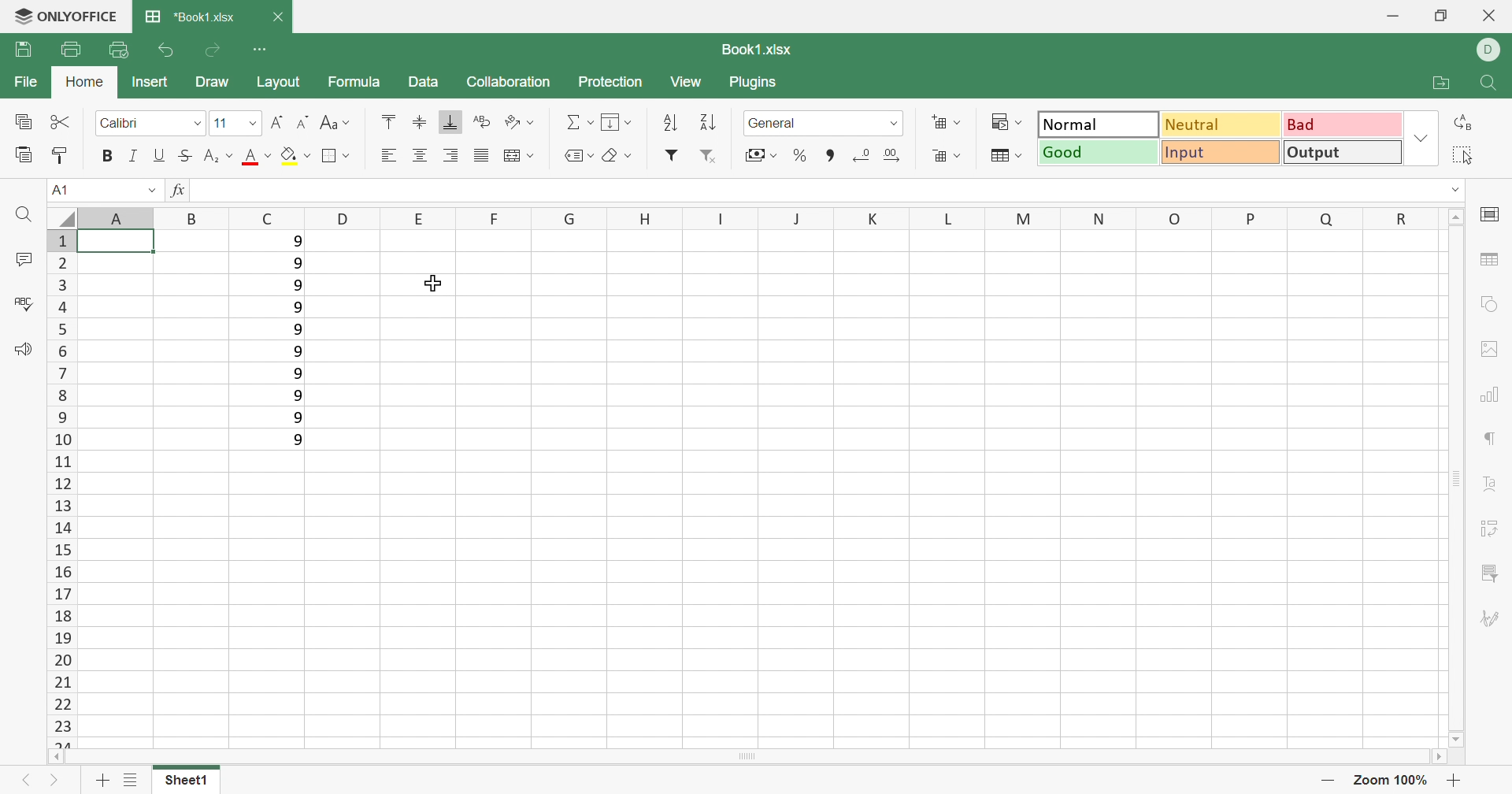 Image resolution: width=1512 pixels, height=794 pixels. I want to click on Decrease decimals, so click(862, 154).